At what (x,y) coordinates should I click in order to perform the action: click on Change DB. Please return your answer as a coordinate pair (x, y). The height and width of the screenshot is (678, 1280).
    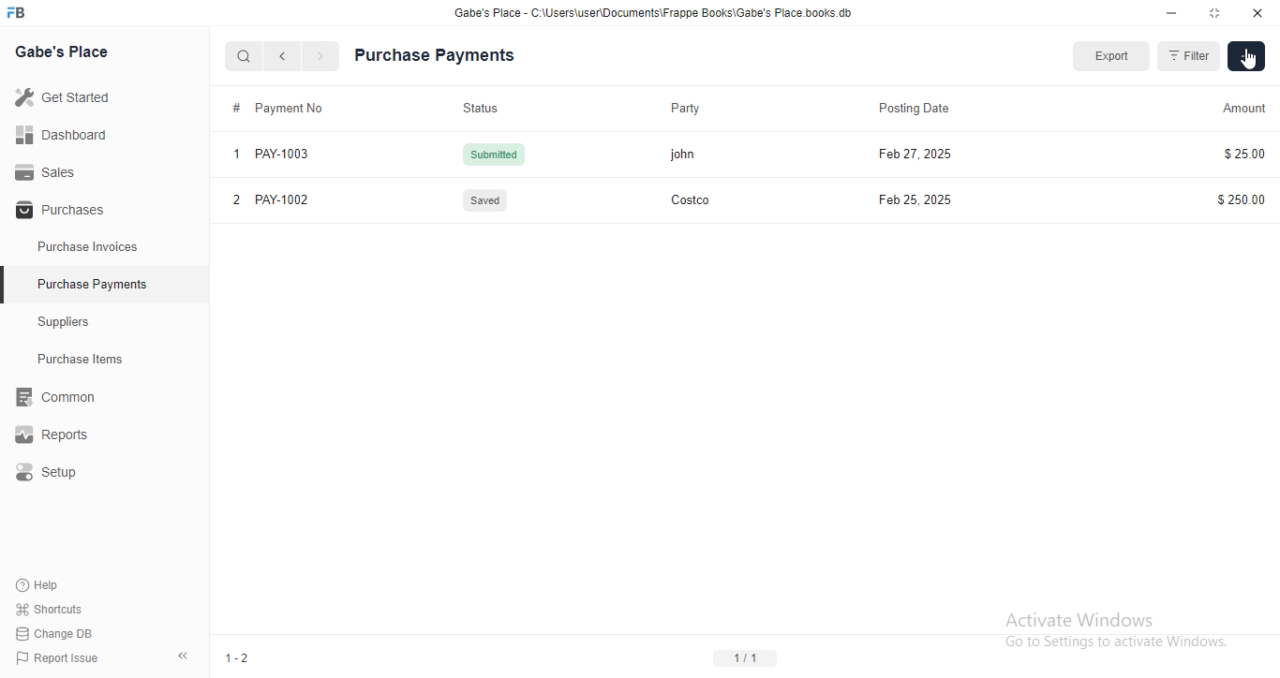
    Looking at the image, I should click on (52, 632).